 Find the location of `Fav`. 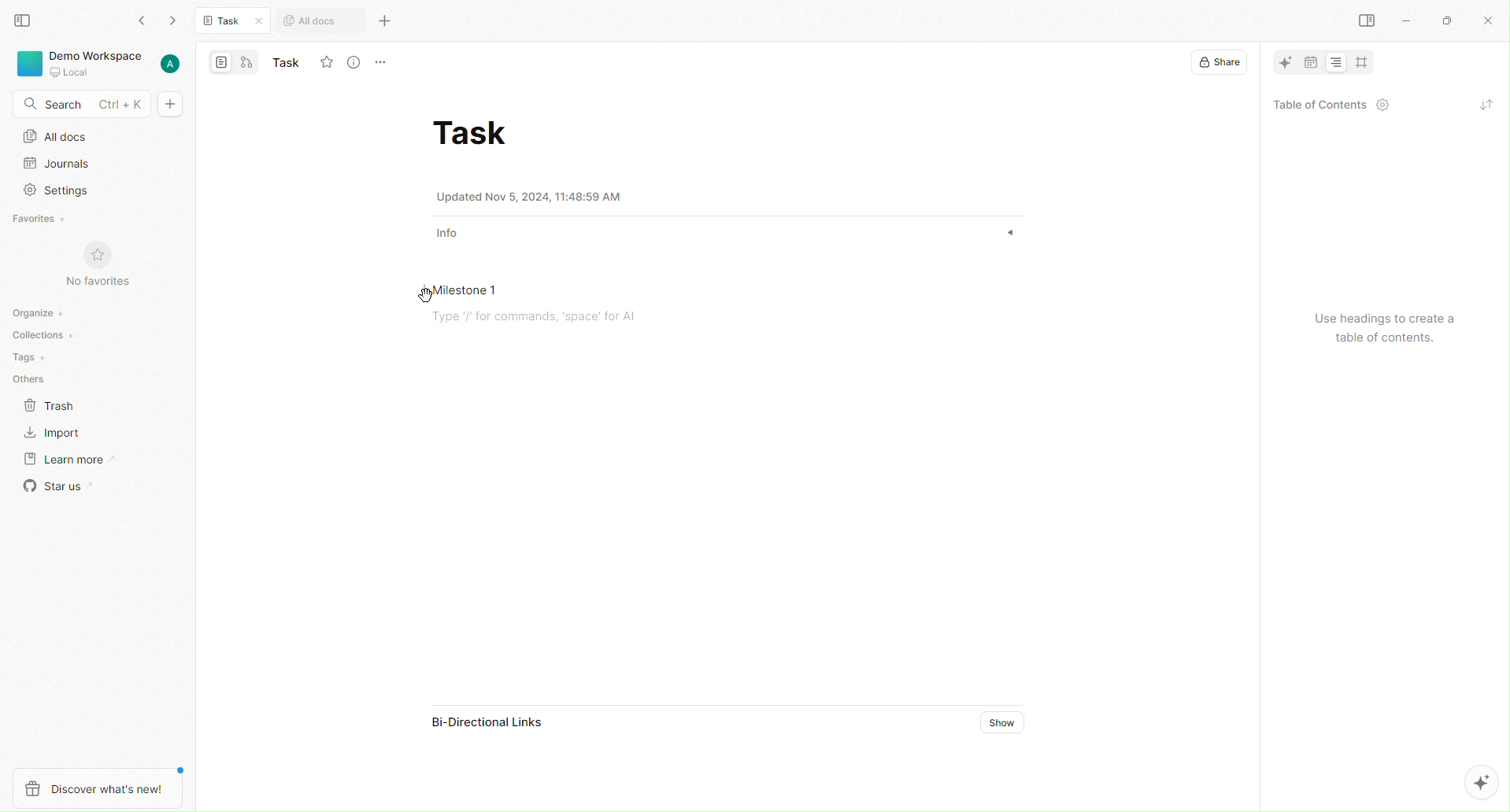

Fav is located at coordinates (326, 62).